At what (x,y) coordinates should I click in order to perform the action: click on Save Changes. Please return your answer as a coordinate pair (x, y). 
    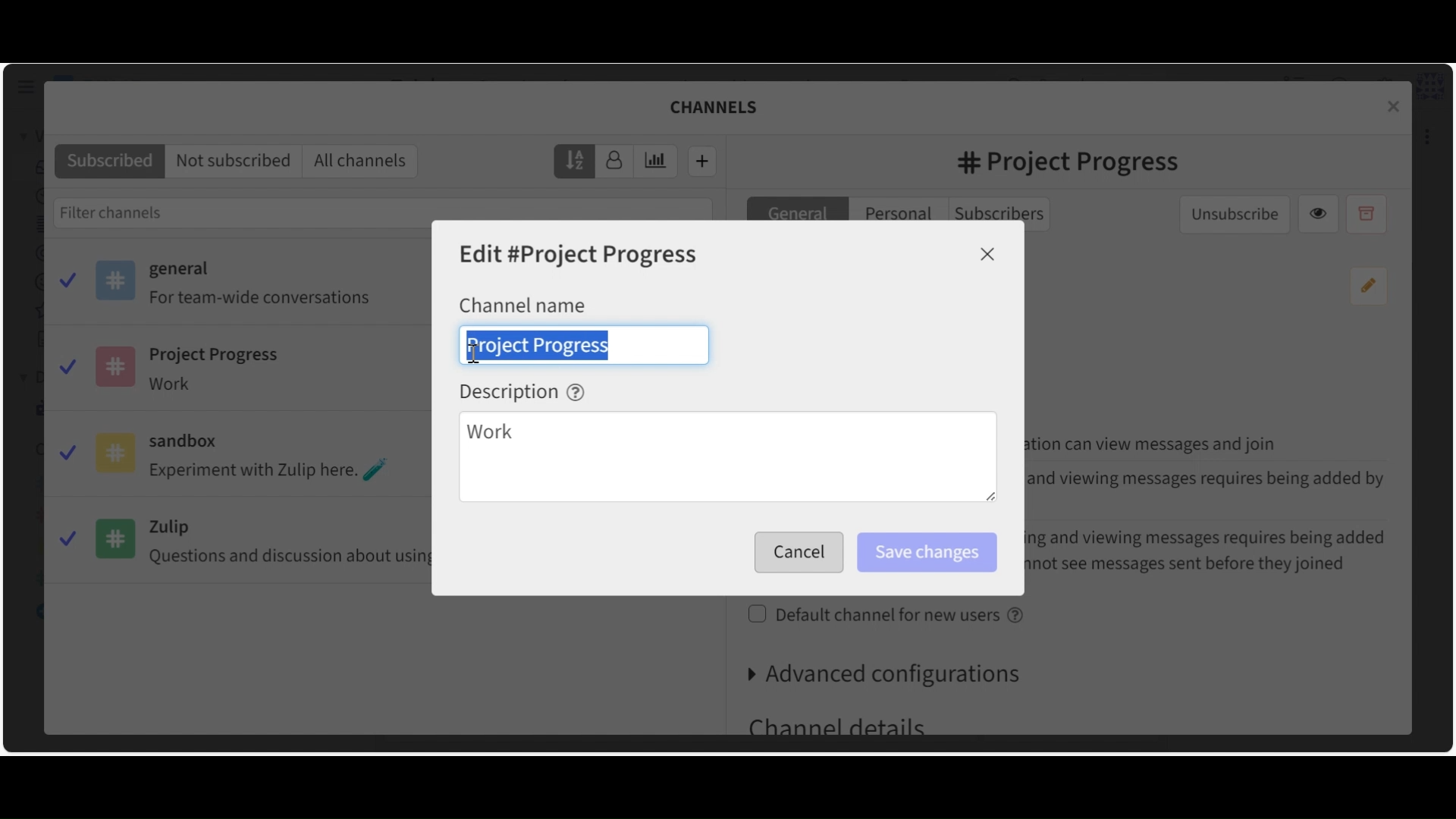
    Looking at the image, I should click on (926, 553).